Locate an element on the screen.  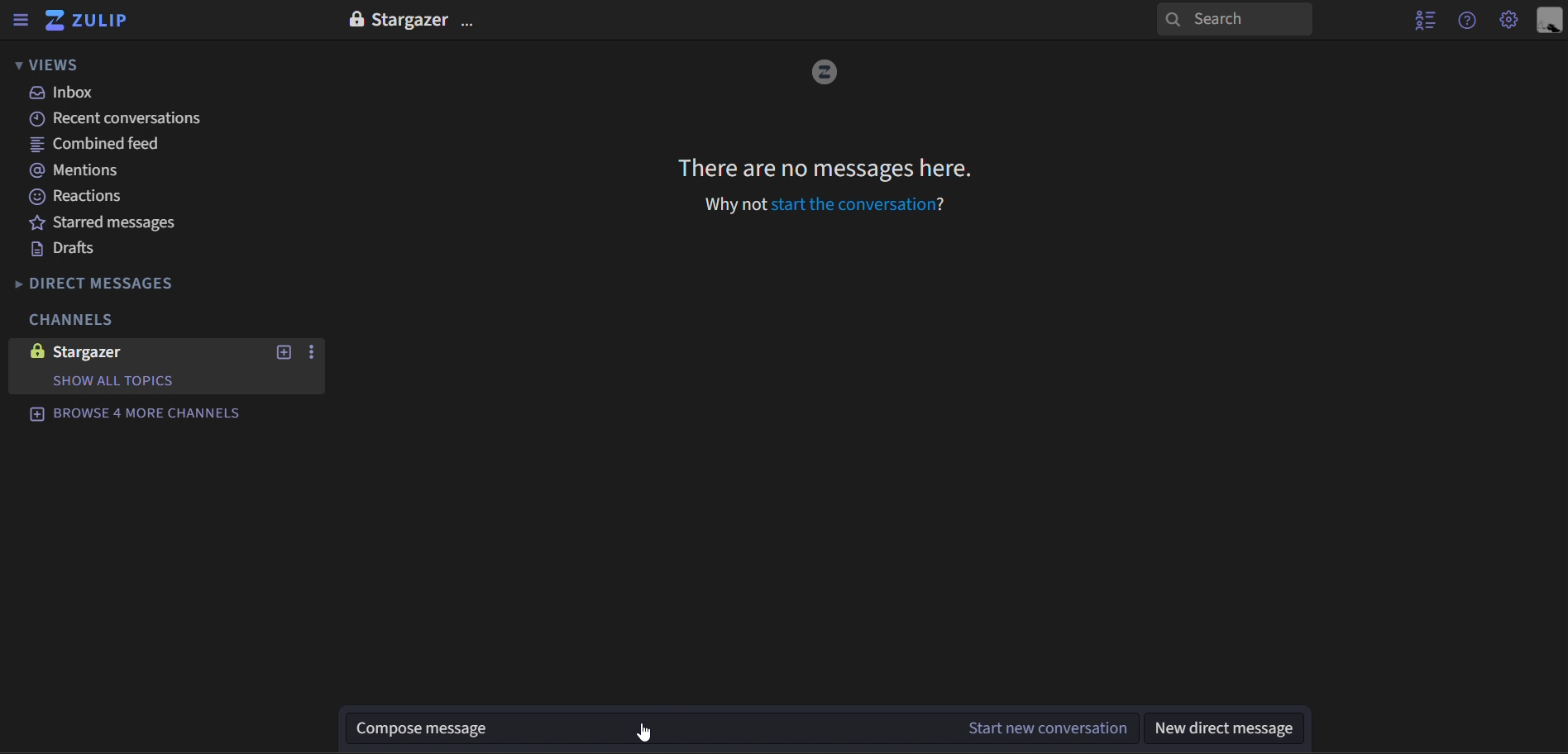
cursor is located at coordinates (650, 732).